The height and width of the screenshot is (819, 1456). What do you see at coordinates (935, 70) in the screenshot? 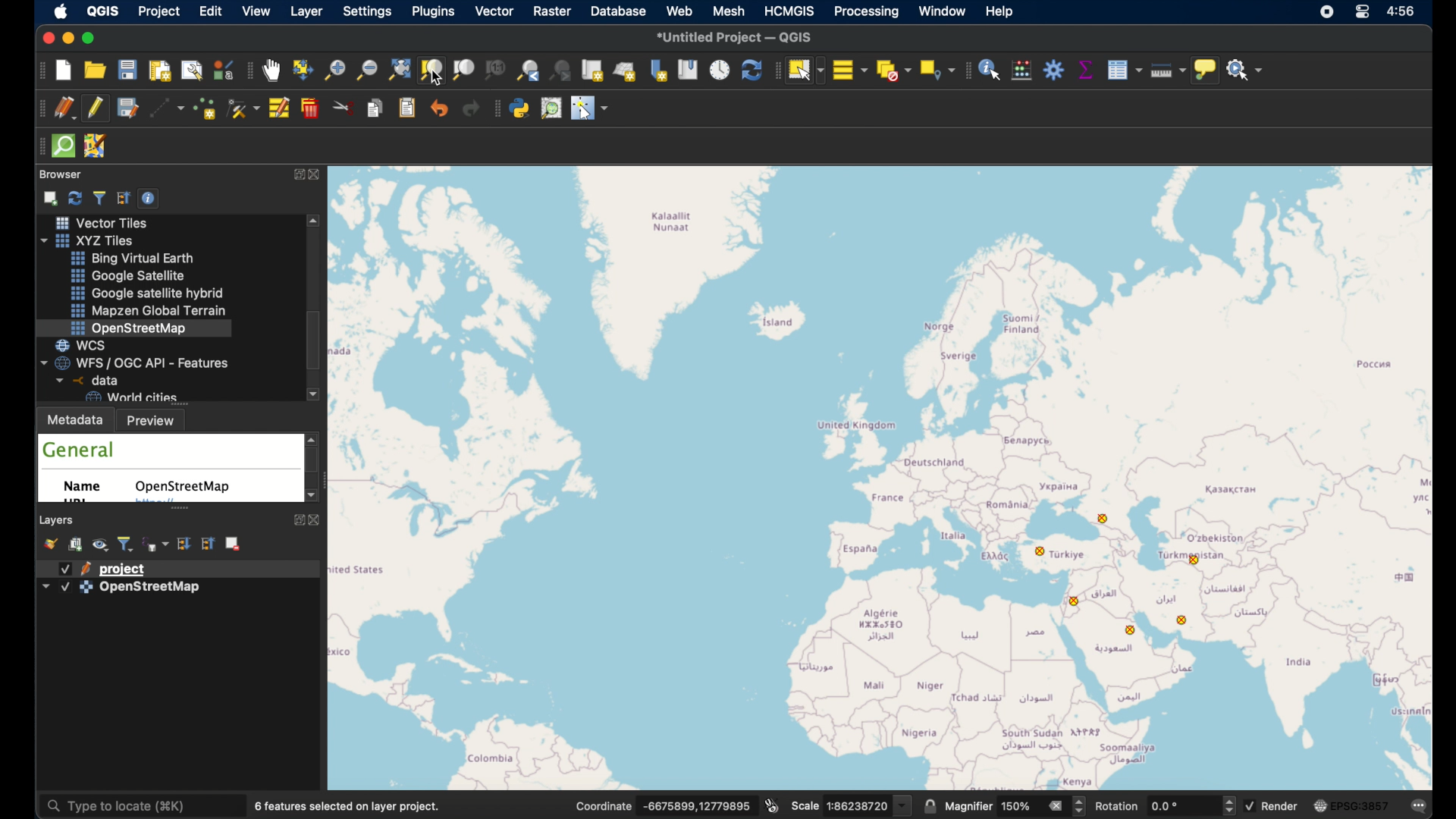
I see `select by location` at bounding box center [935, 70].